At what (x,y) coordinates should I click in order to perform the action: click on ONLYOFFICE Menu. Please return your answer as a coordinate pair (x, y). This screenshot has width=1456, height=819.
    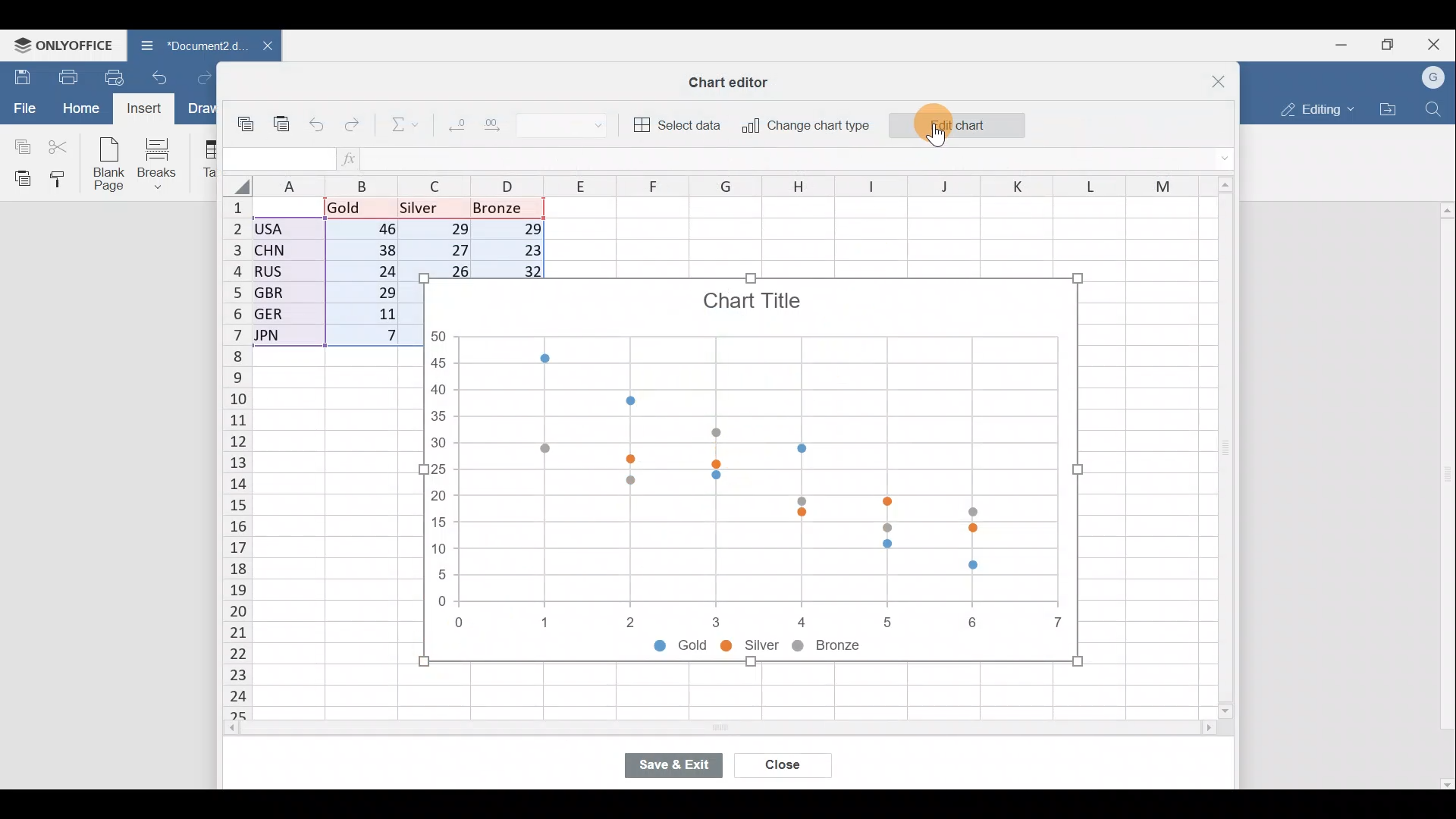
    Looking at the image, I should click on (62, 45).